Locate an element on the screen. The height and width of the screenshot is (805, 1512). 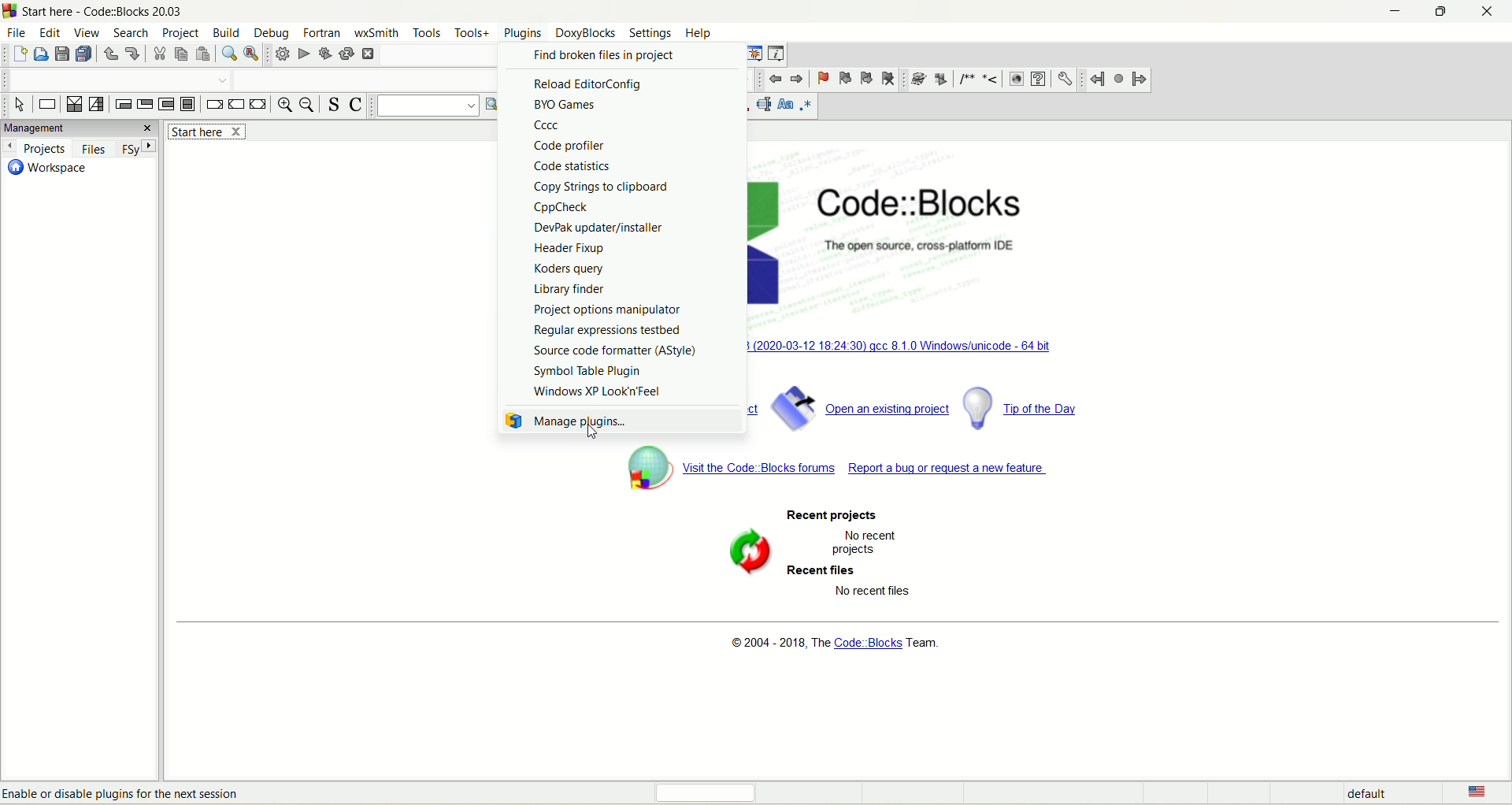
various info is located at coordinates (777, 53).